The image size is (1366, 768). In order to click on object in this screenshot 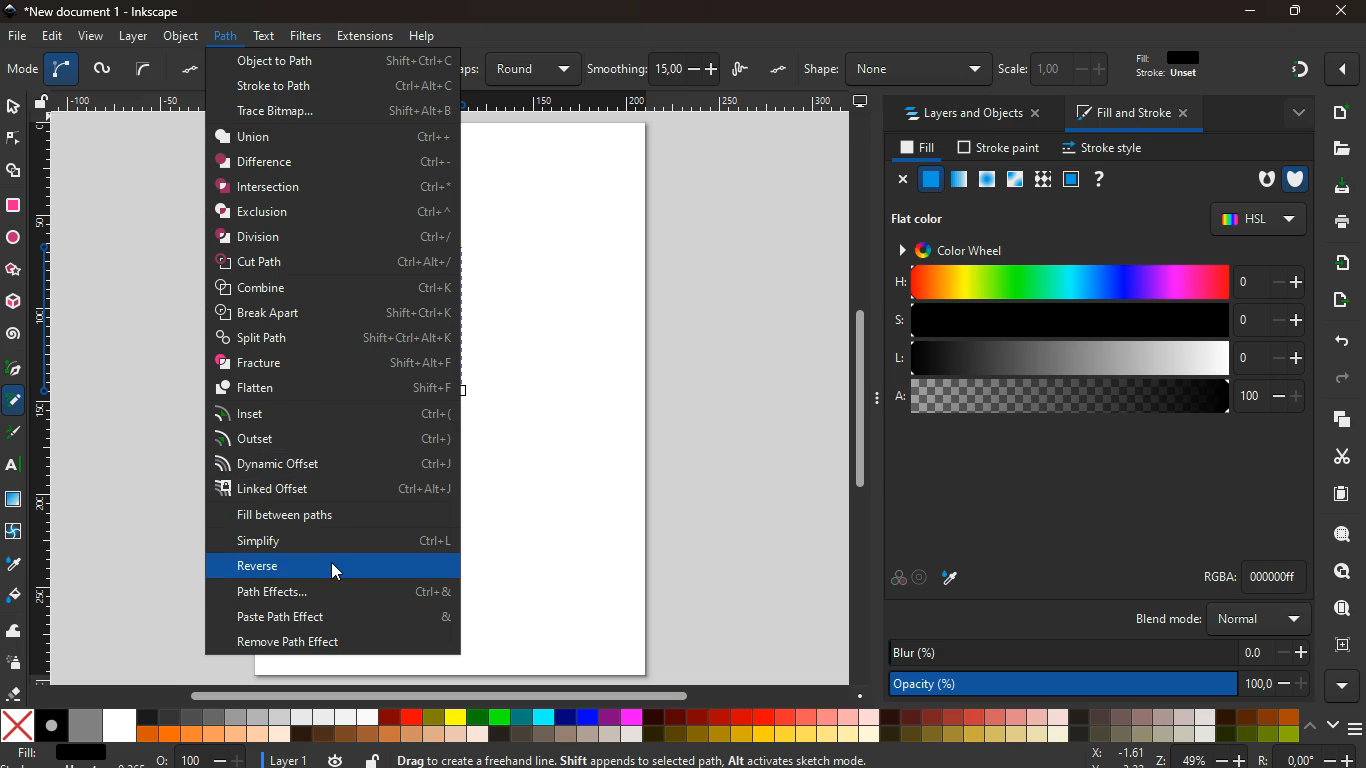, I will do `click(183, 36)`.